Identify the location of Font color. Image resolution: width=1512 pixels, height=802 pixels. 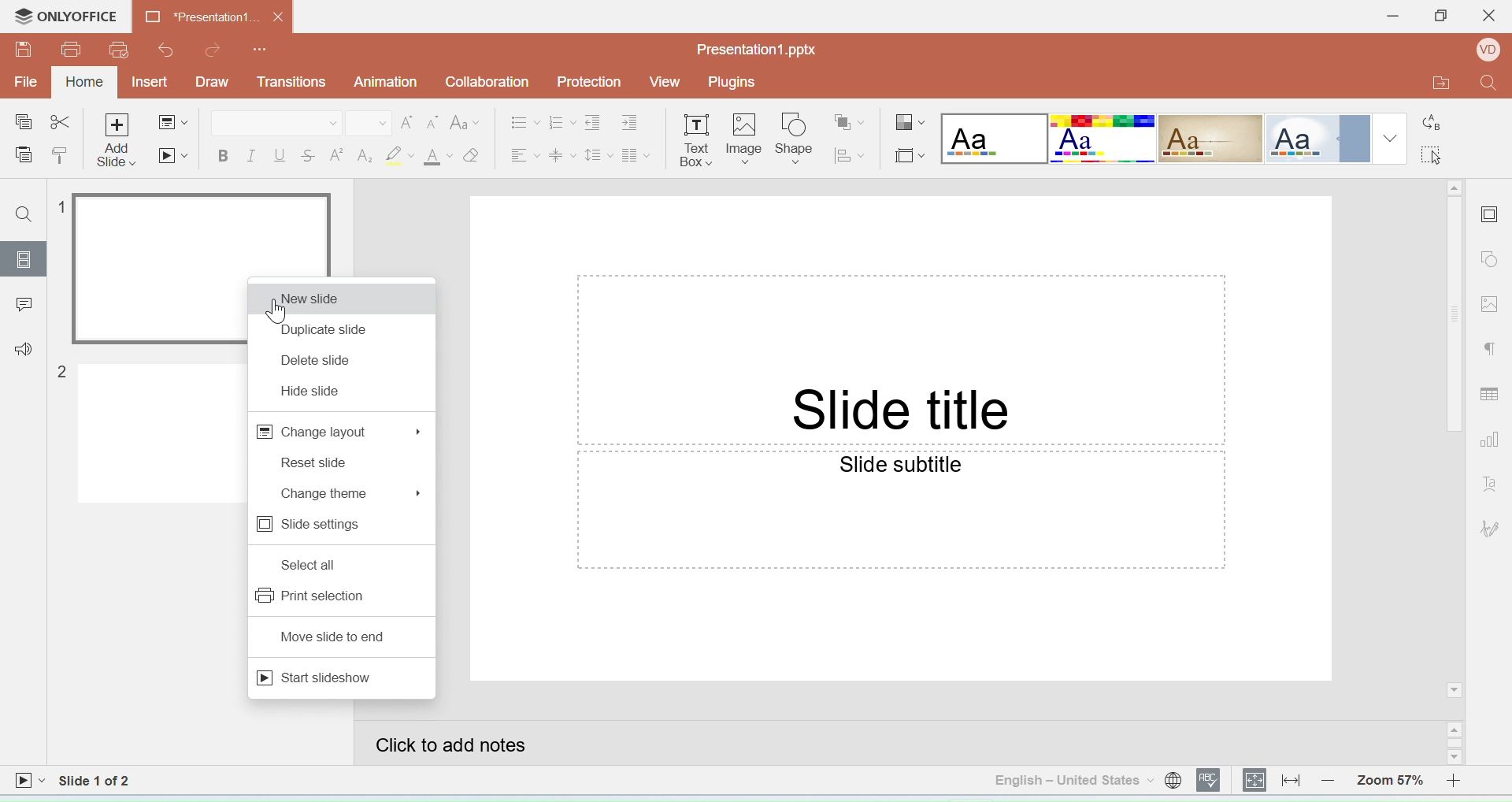
(439, 157).